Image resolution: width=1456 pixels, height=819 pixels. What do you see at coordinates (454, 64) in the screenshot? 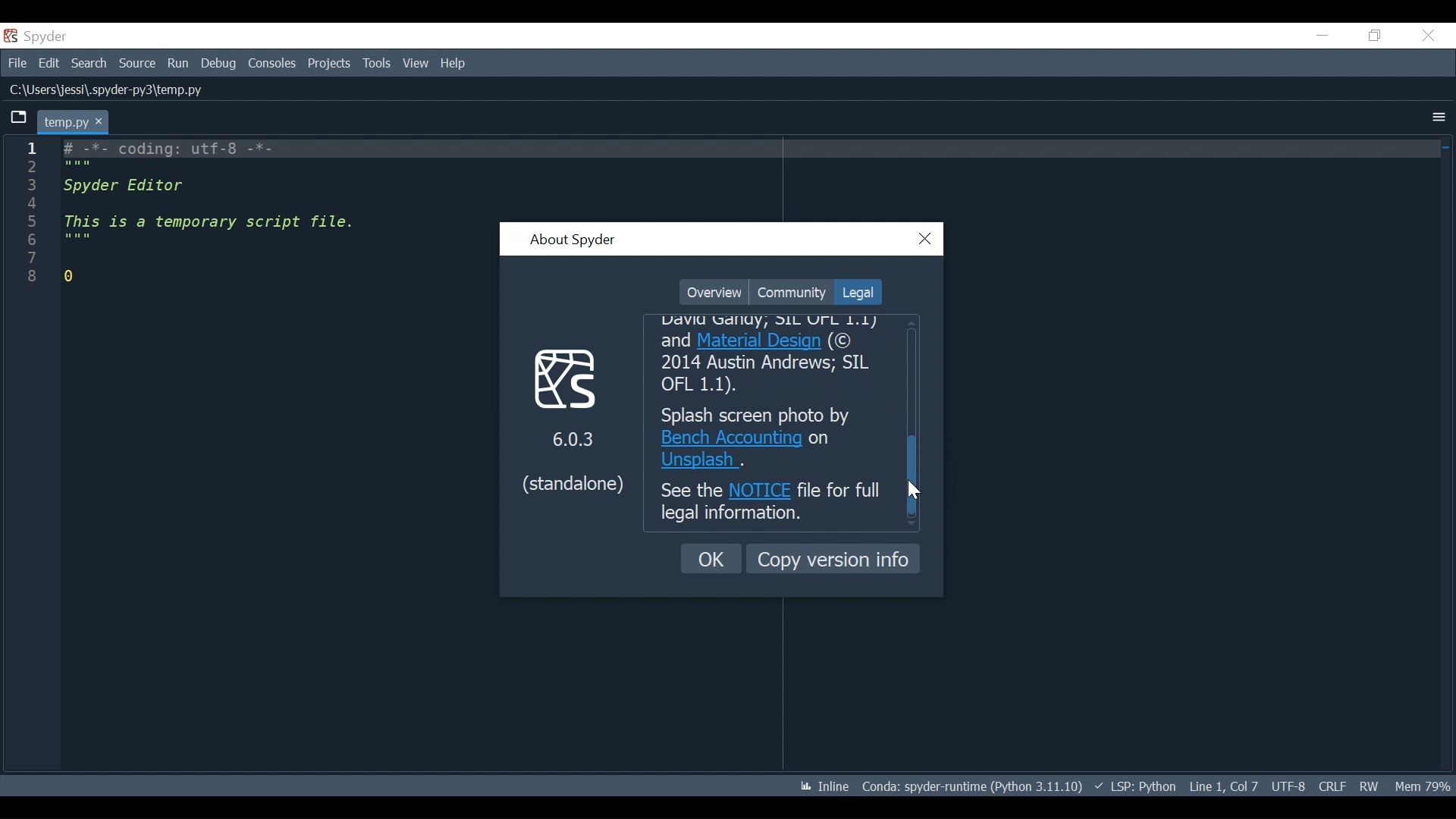
I see `Help` at bounding box center [454, 64].